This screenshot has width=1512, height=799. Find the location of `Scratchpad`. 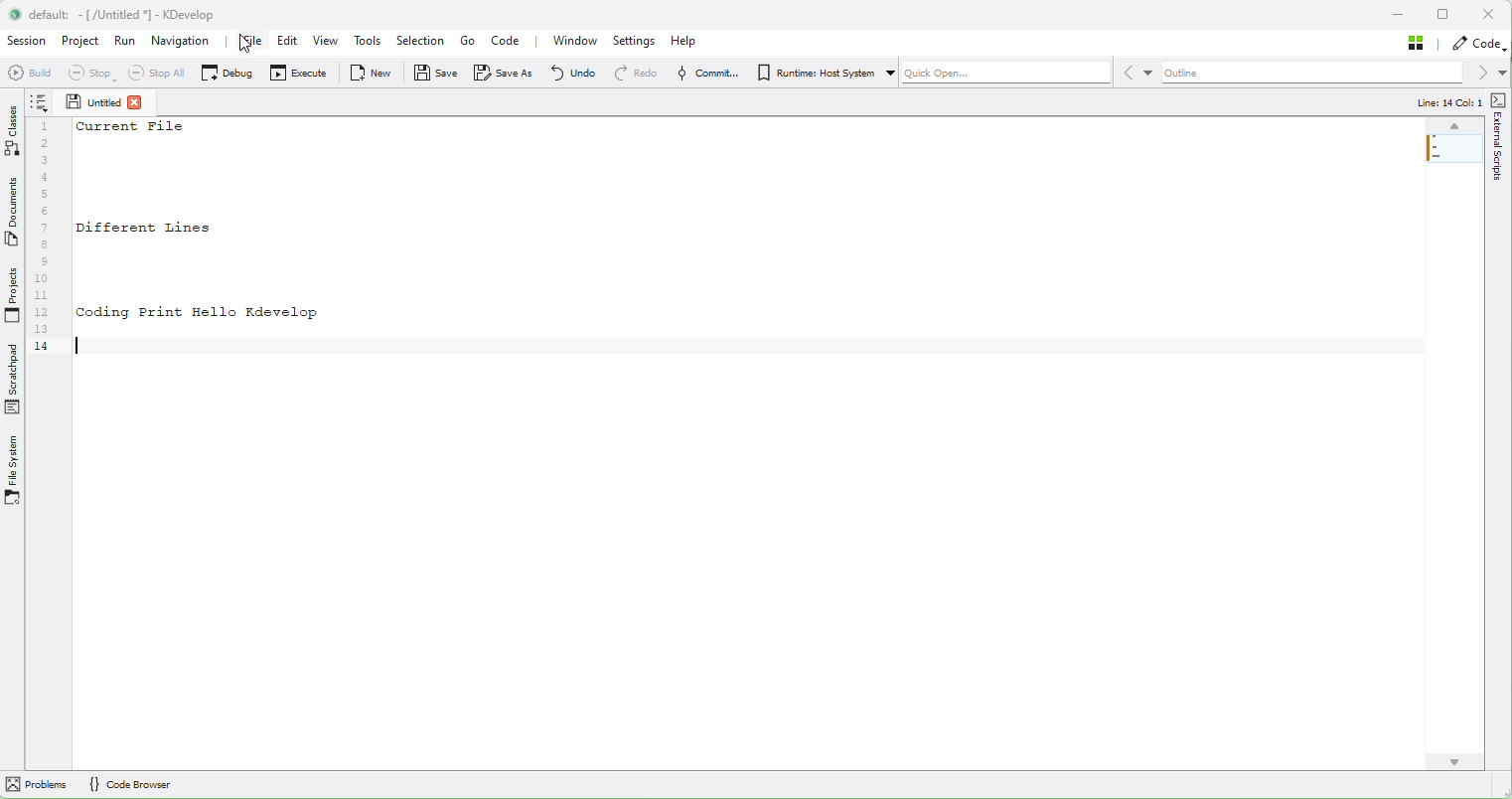

Scratchpad is located at coordinates (14, 379).